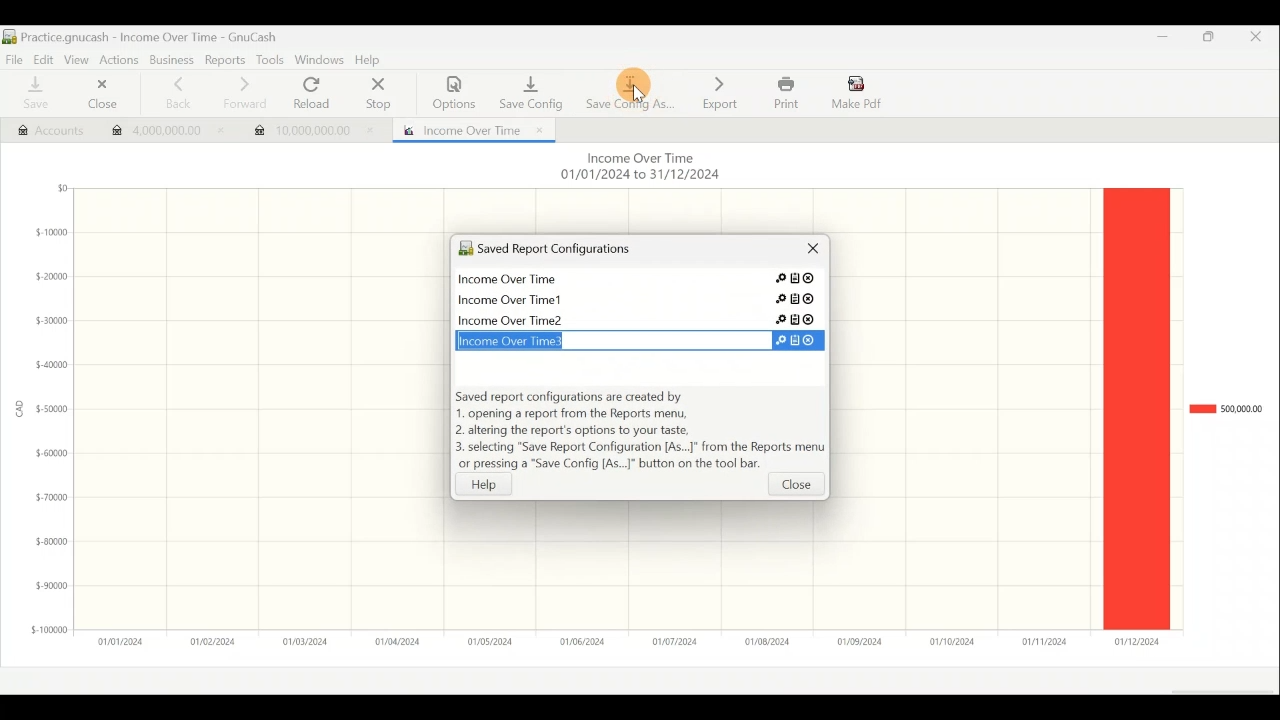 The image size is (1280, 720). I want to click on Imported transaction 1, so click(161, 133).